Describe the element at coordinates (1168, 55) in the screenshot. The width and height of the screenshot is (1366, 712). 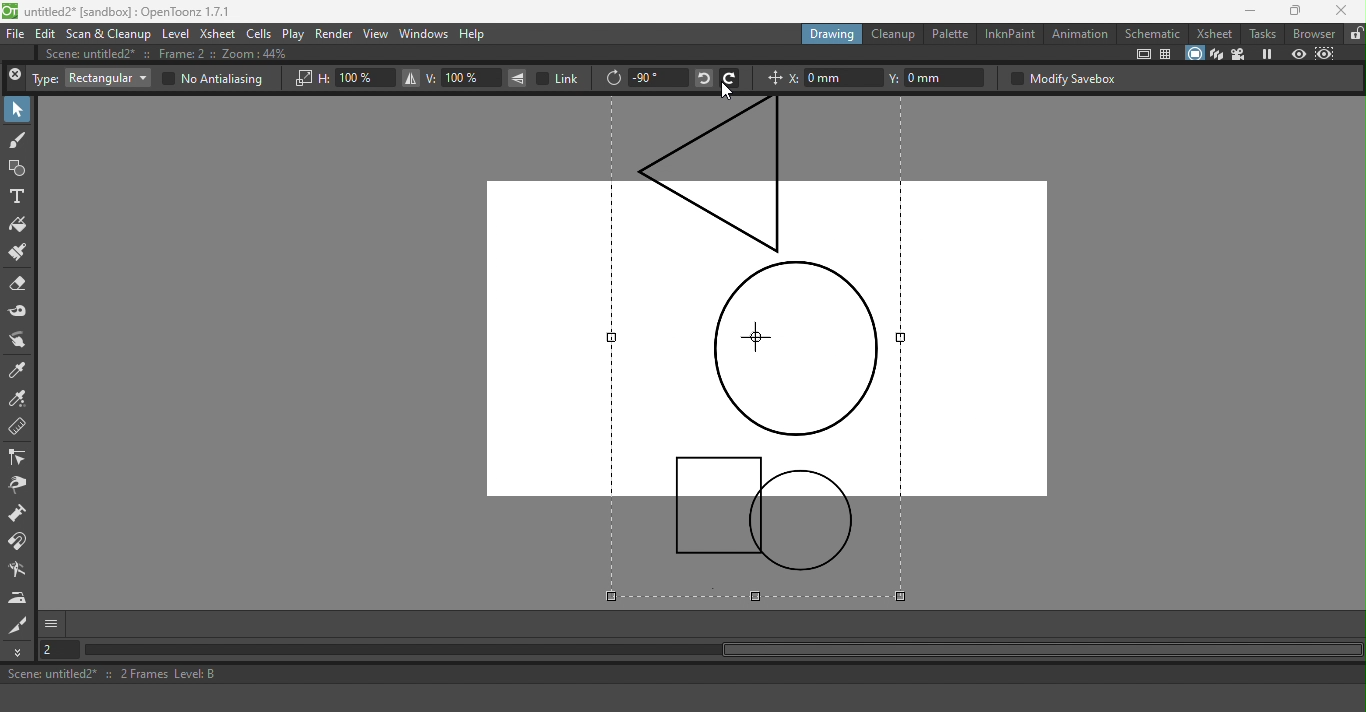
I see `Field guide` at that location.